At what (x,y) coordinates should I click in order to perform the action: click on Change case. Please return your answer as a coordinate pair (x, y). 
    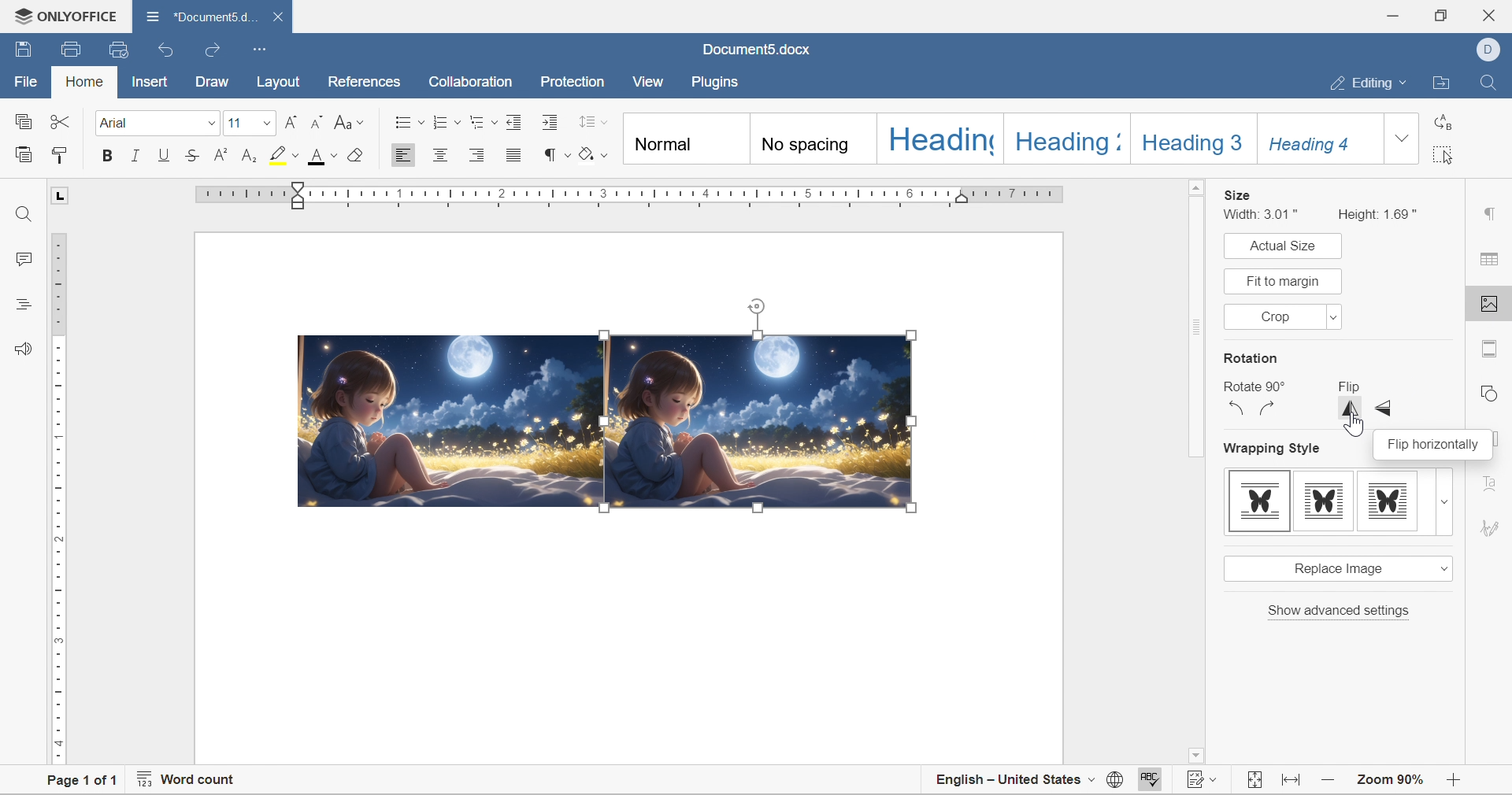
    Looking at the image, I should click on (350, 124).